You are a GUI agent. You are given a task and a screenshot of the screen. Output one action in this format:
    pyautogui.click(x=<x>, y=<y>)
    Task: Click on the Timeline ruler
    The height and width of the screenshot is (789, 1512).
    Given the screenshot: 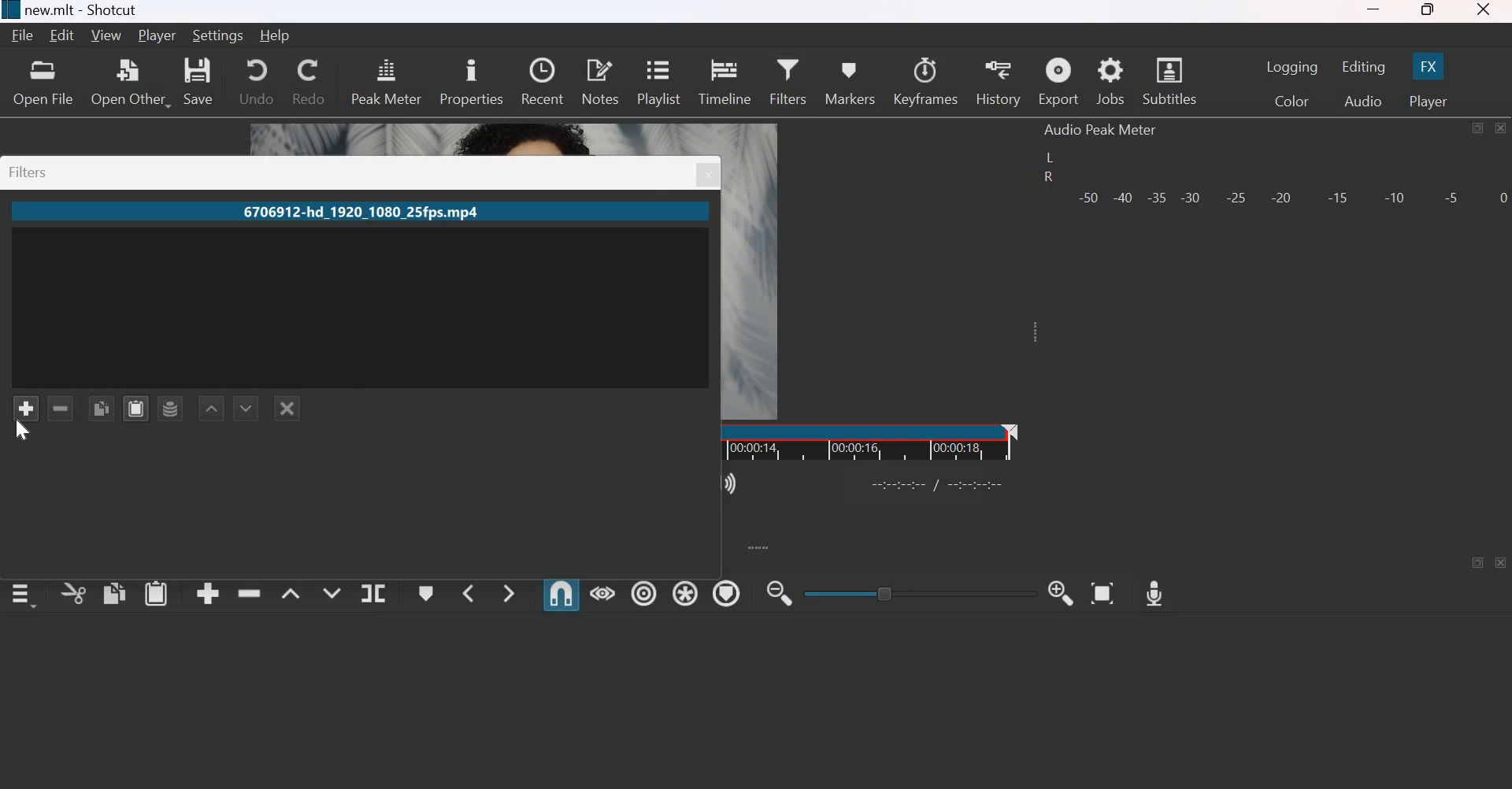 What is the action you would take?
    pyautogui.click(x=870, y=442)
    